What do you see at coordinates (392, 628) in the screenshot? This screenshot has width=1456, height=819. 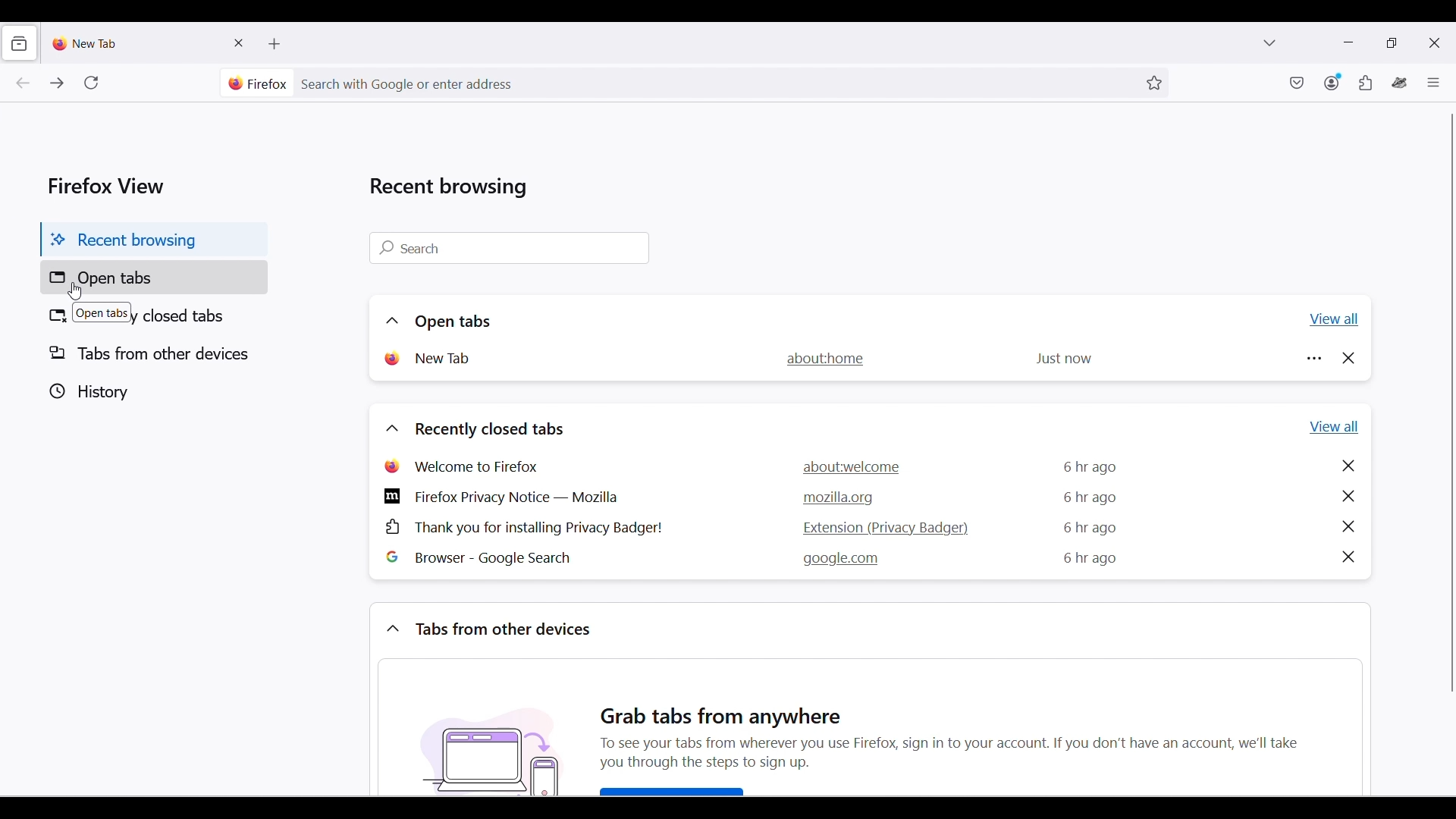 I see `Collapse information about Tabs from other devices` at bounding box center [392, 628].